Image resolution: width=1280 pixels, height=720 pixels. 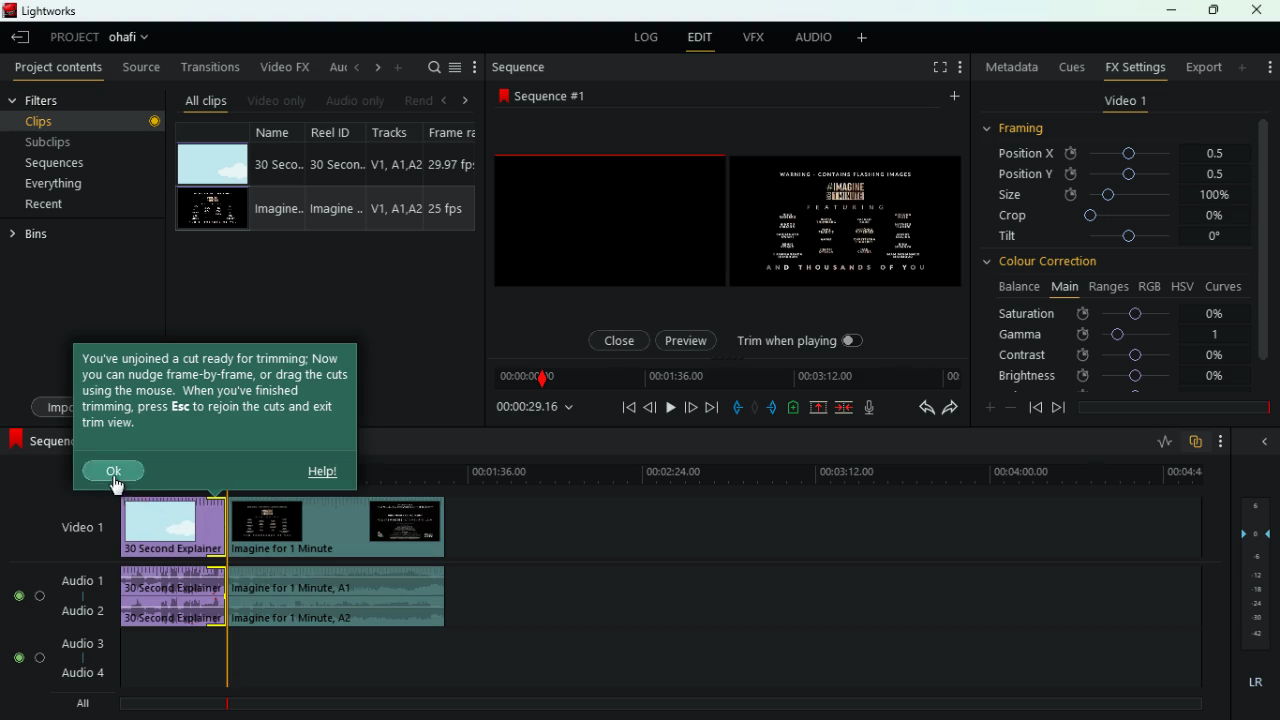 I want to click on time, so click(x=535, y=408).